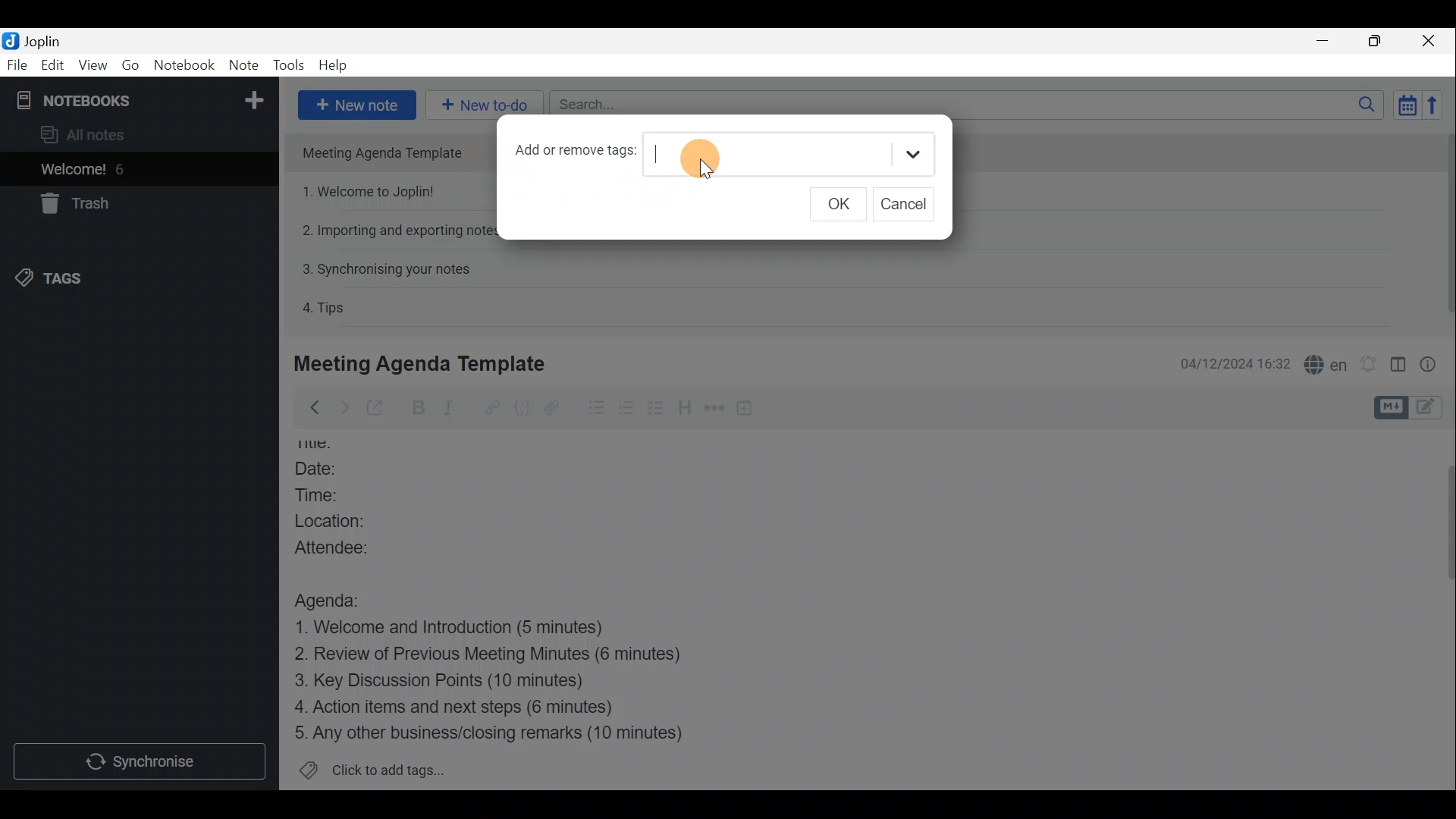  What do you see at coordinates (287, 62) in the screenshot?
I see `Tools` at bounding box center [287, 62].